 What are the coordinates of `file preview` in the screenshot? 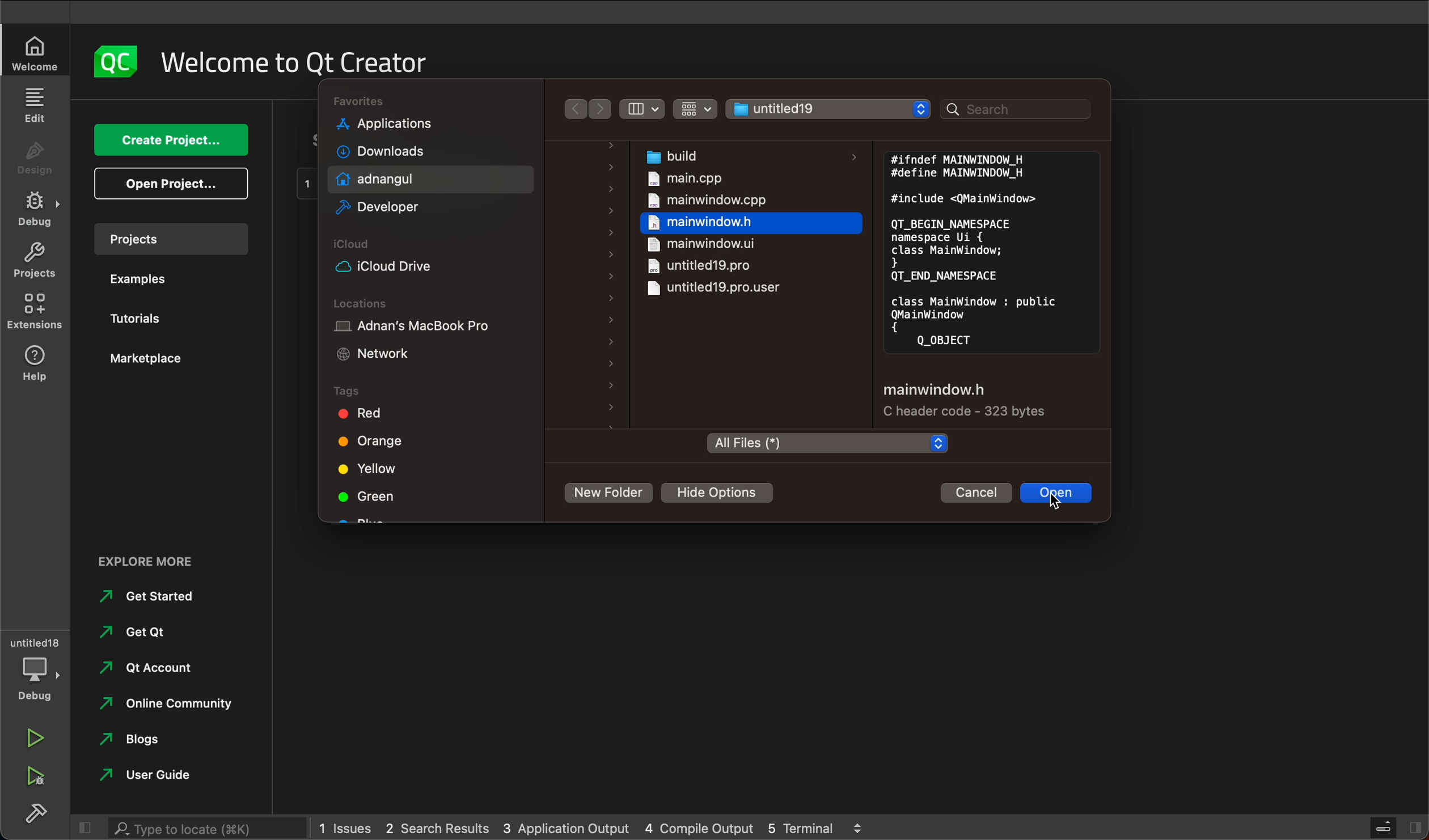 It's located at (990, 250).